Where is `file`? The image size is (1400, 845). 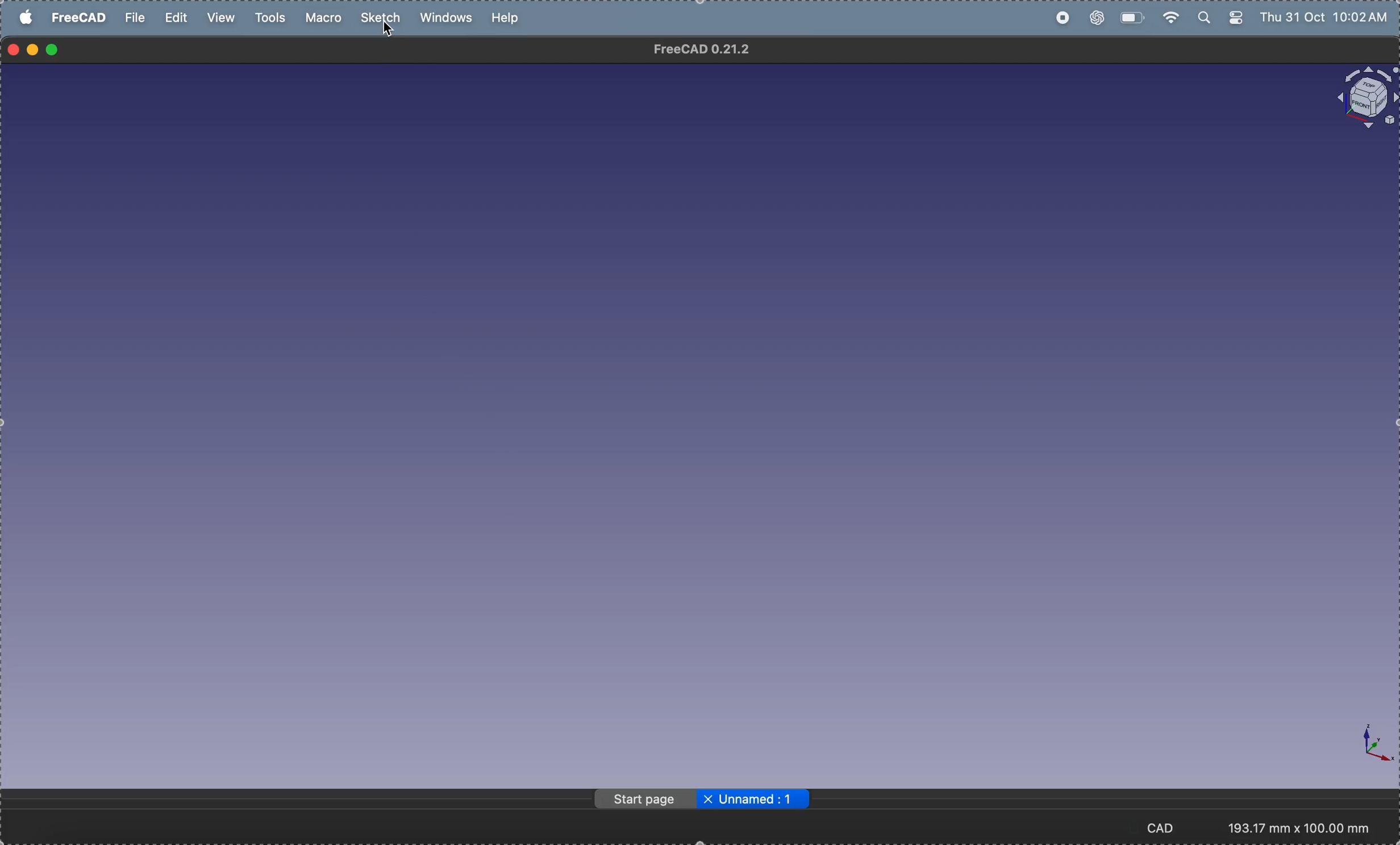
file is located at coordinates (135, 18).